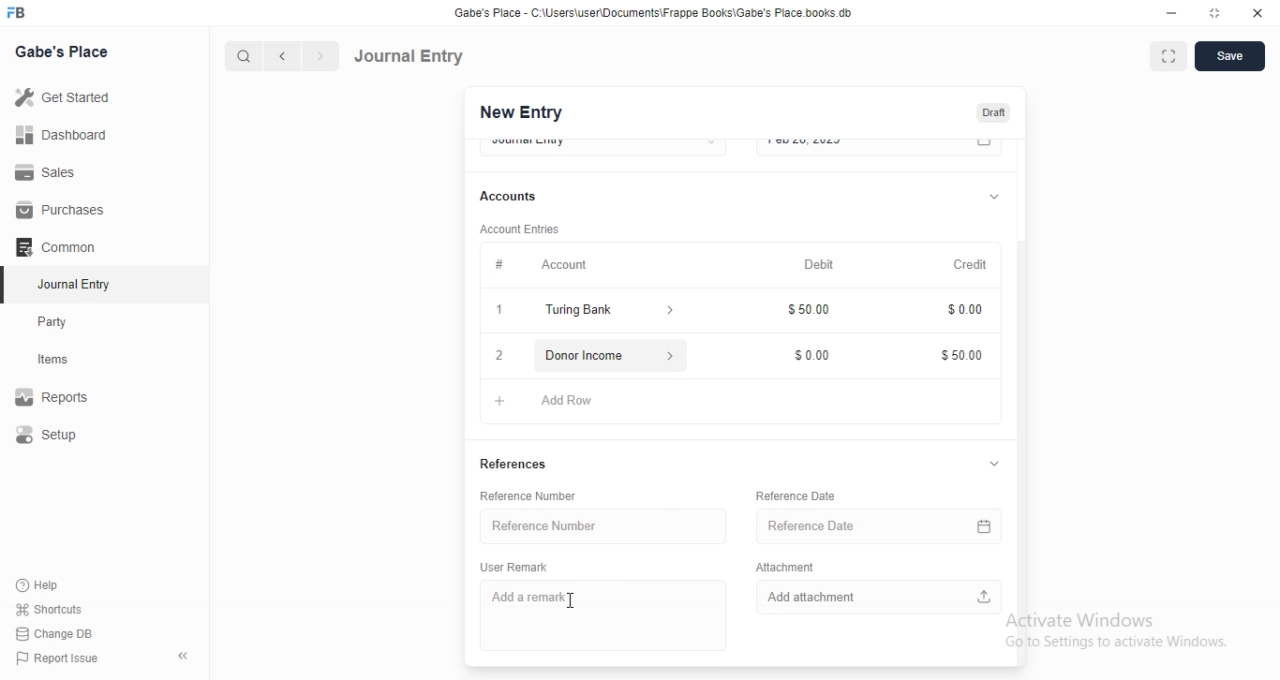 The image size is (1280, 680). I want to click on Add attachment, so click(880, 595).